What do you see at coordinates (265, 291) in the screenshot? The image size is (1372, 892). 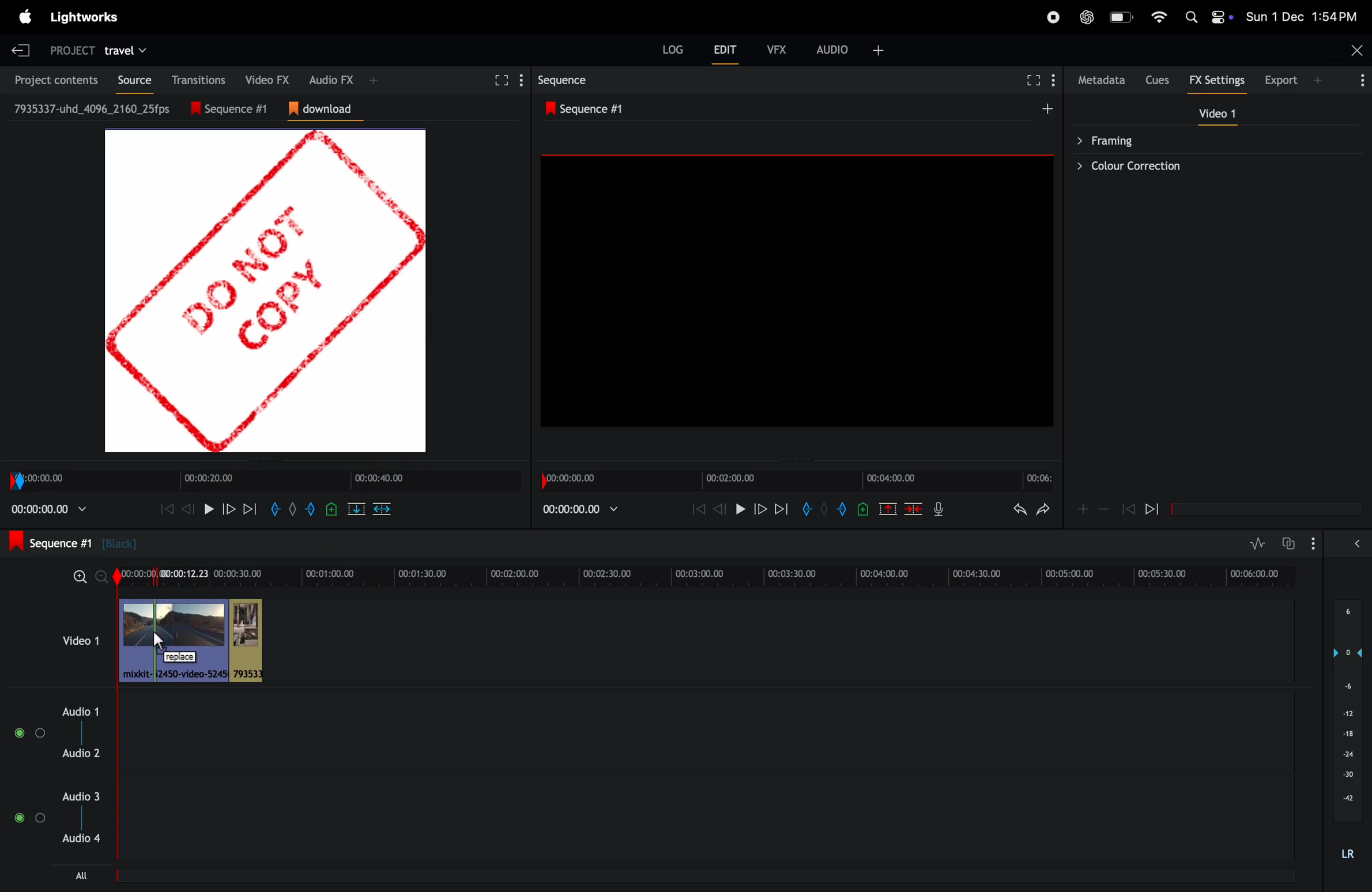 I see `Watermark` at bounding box center [265, 291].